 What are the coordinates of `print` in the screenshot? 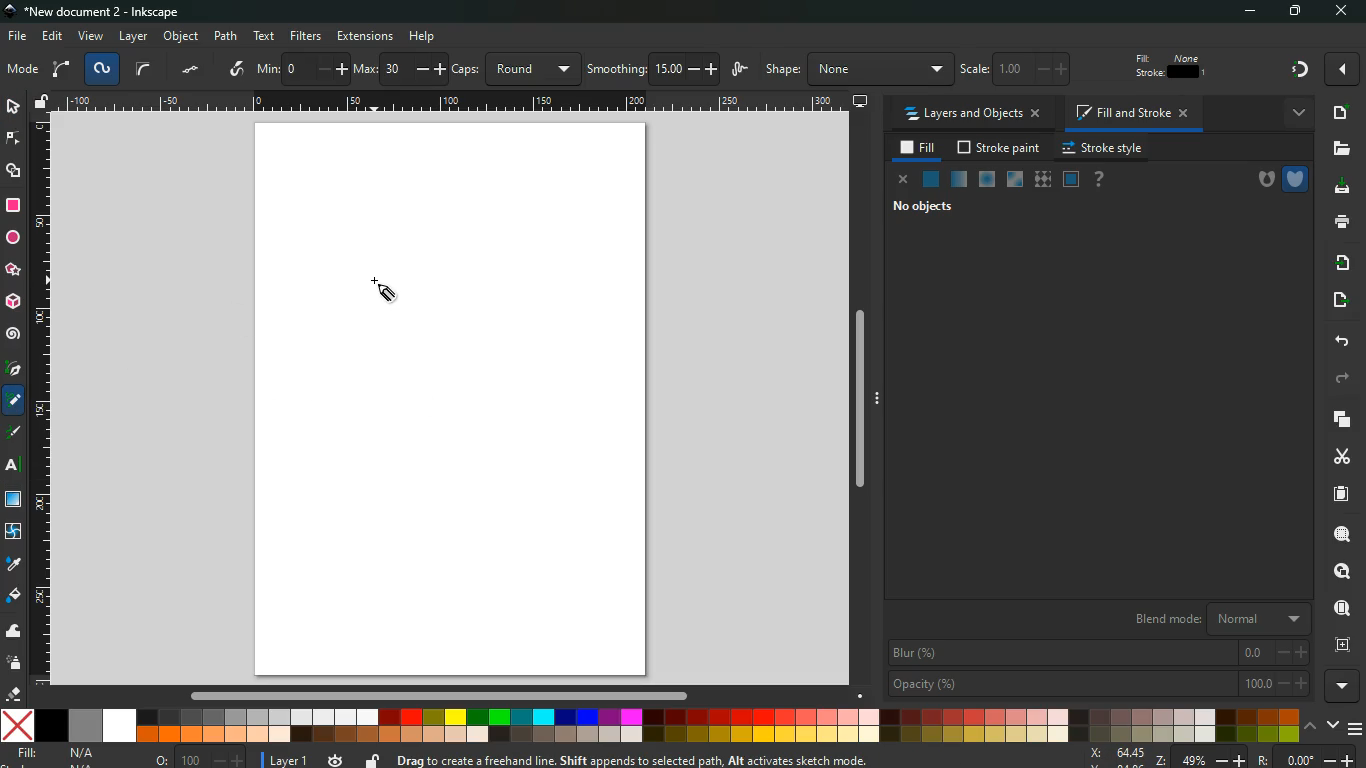 It's located at (1336, 221).